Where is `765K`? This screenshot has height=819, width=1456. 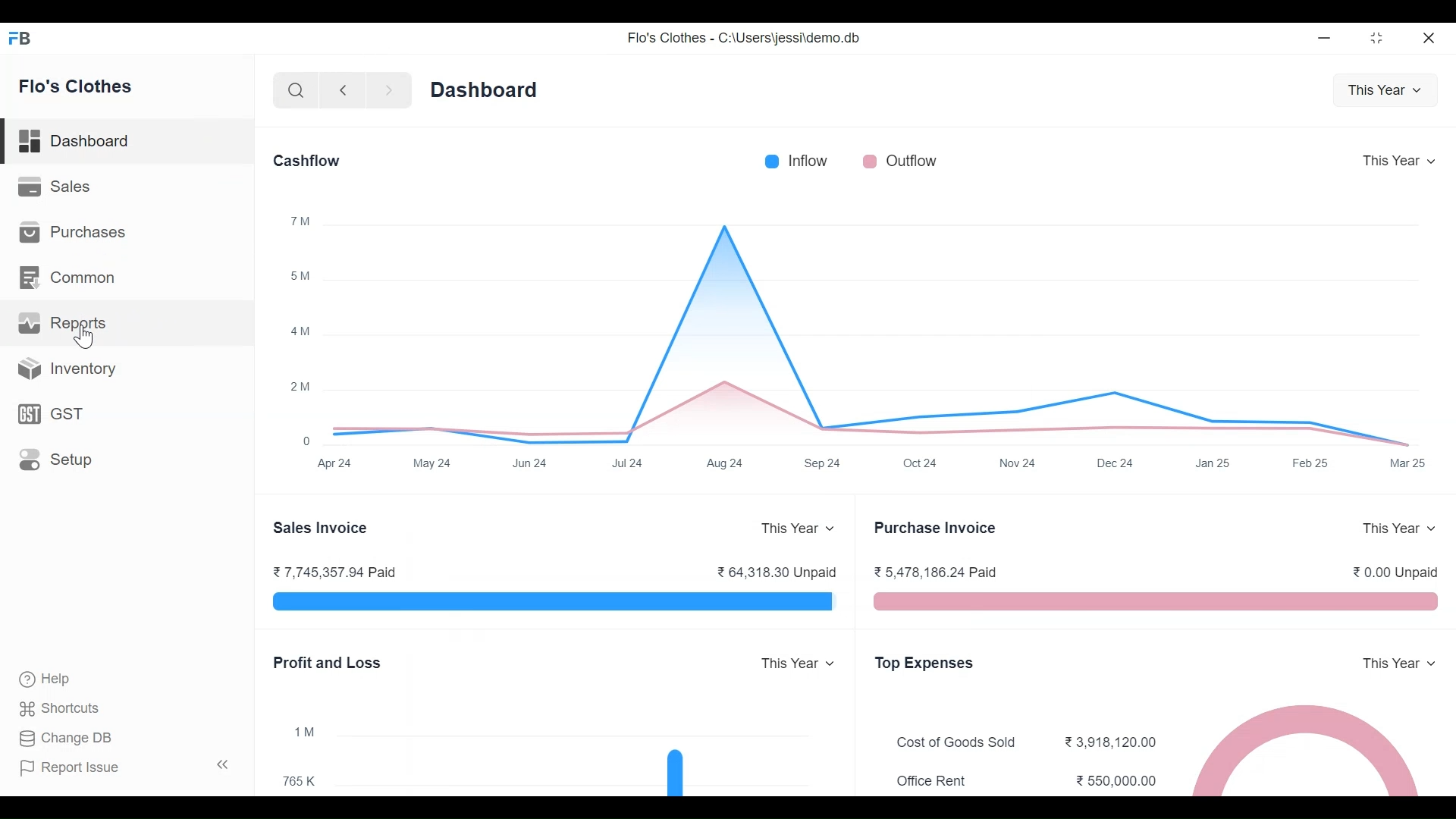
765K is located at coordinates (299, 780).